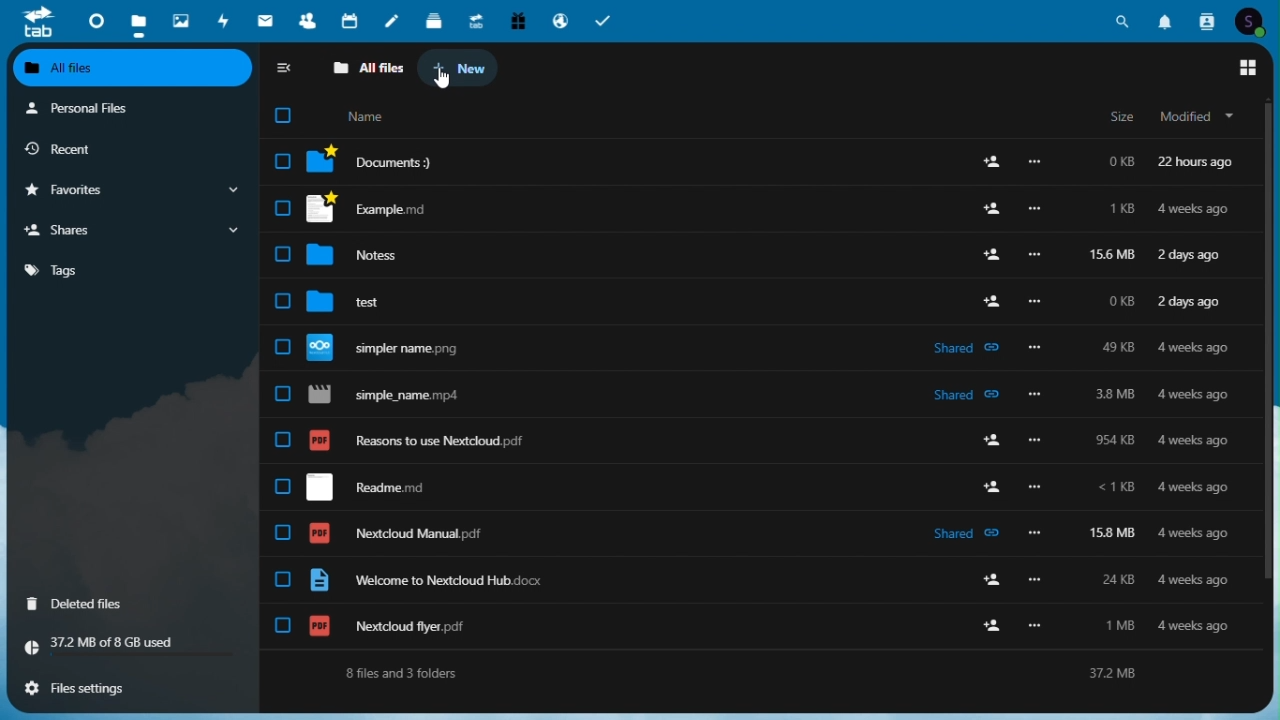 Image resolution: width=1280 pixels, height=720 pixels. Describe the element at coordinates (1117, 161) in the screenshot. I see `0kb` at that location.